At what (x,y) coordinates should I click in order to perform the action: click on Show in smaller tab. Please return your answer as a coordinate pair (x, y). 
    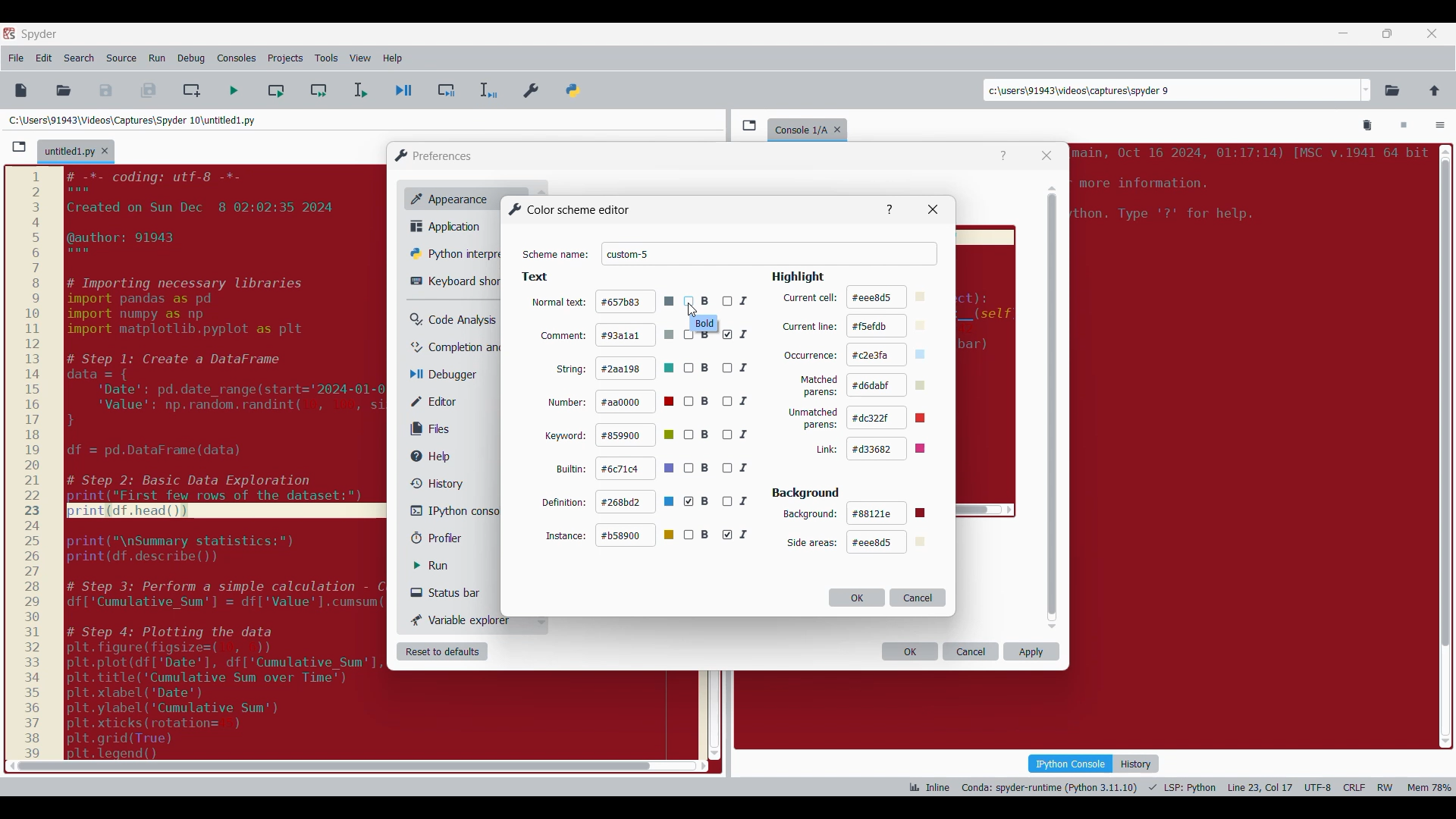
    Looking at the image, I should click on (1387, 33).